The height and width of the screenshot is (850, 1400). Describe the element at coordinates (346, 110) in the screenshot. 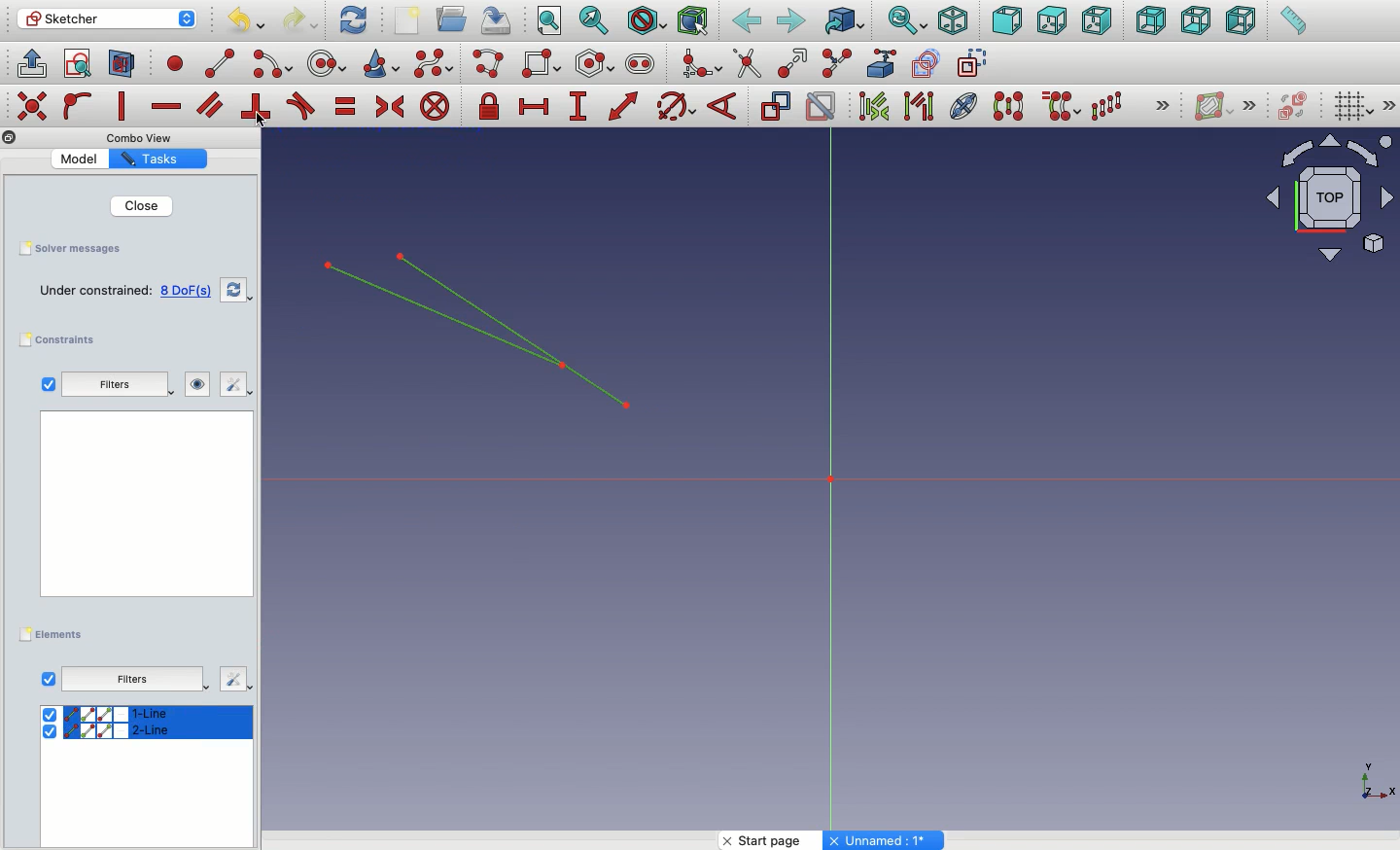

I see `Constrain equal` at that location.